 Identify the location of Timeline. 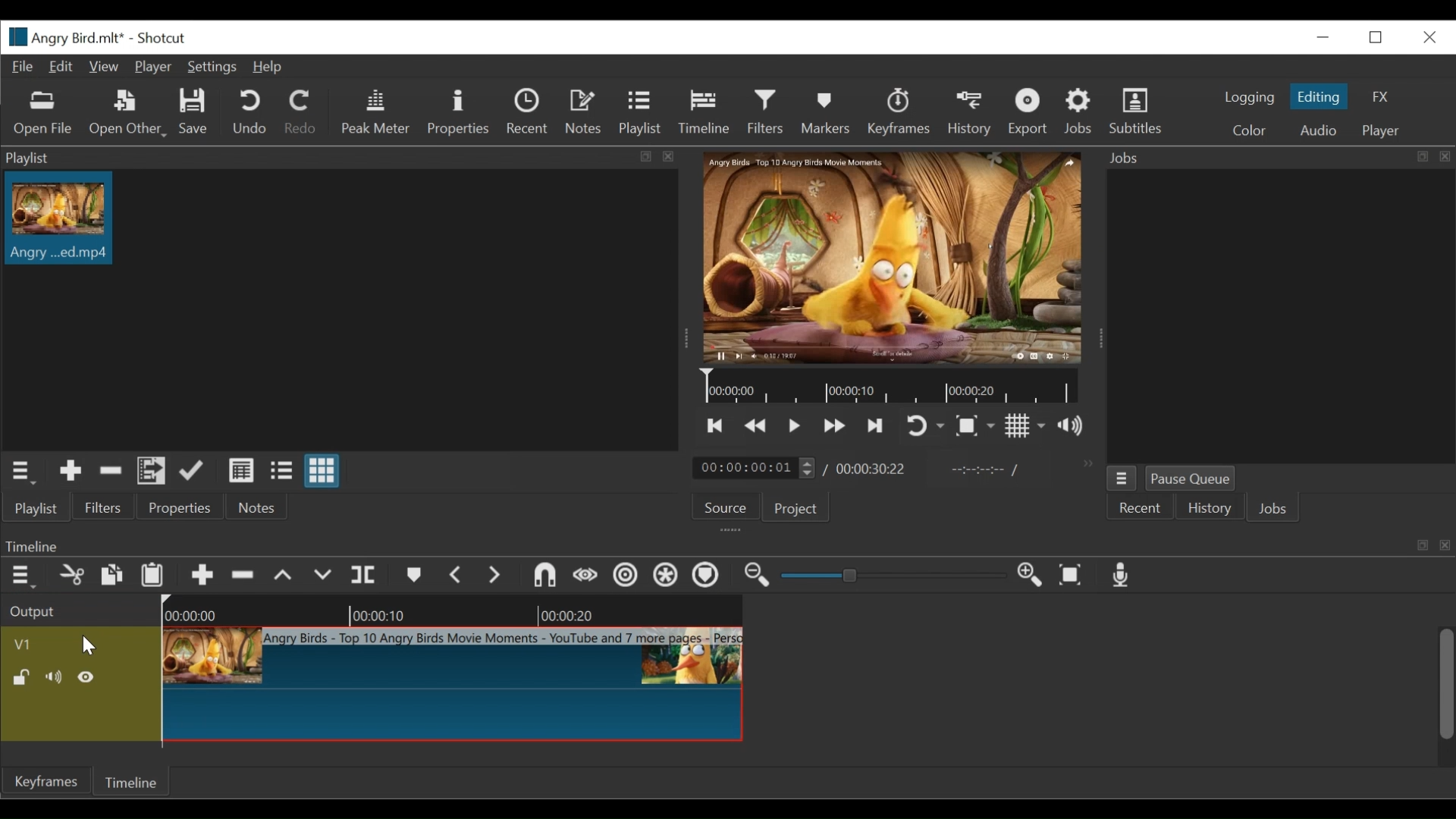
(457, 610).